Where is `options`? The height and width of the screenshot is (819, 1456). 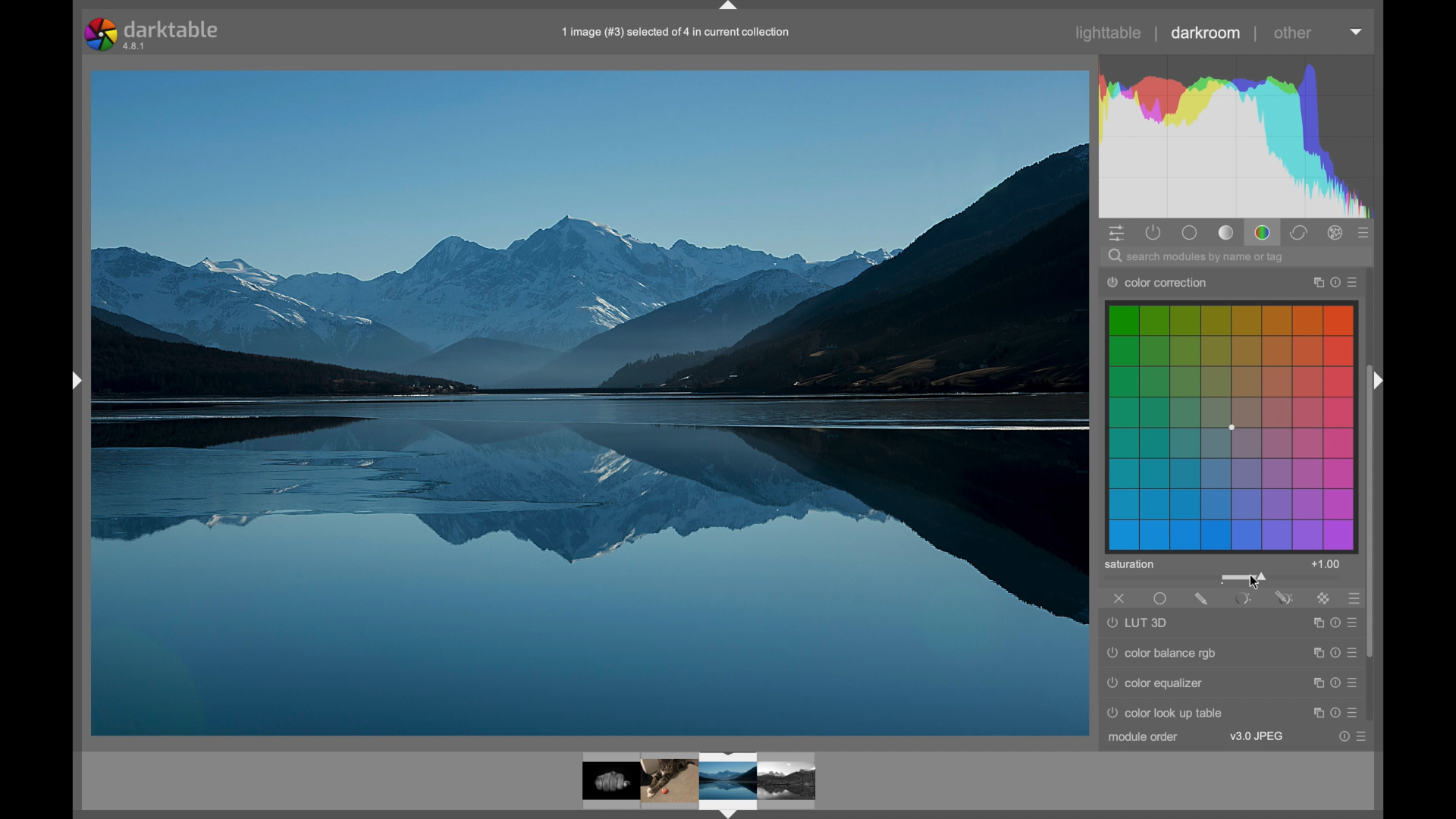 options is located at coordinates (1335, 682).